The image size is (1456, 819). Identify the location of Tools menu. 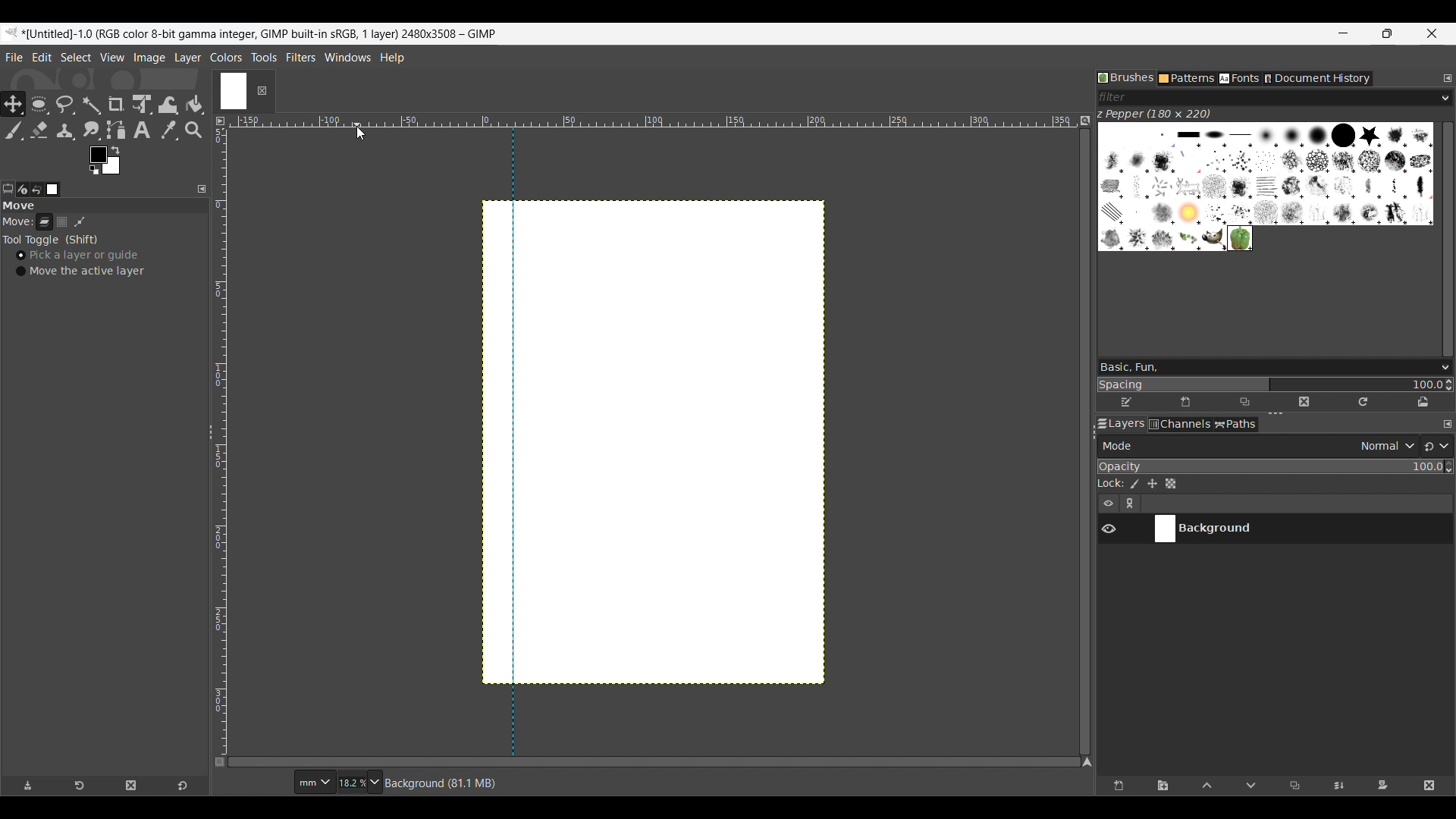
(264, 57).